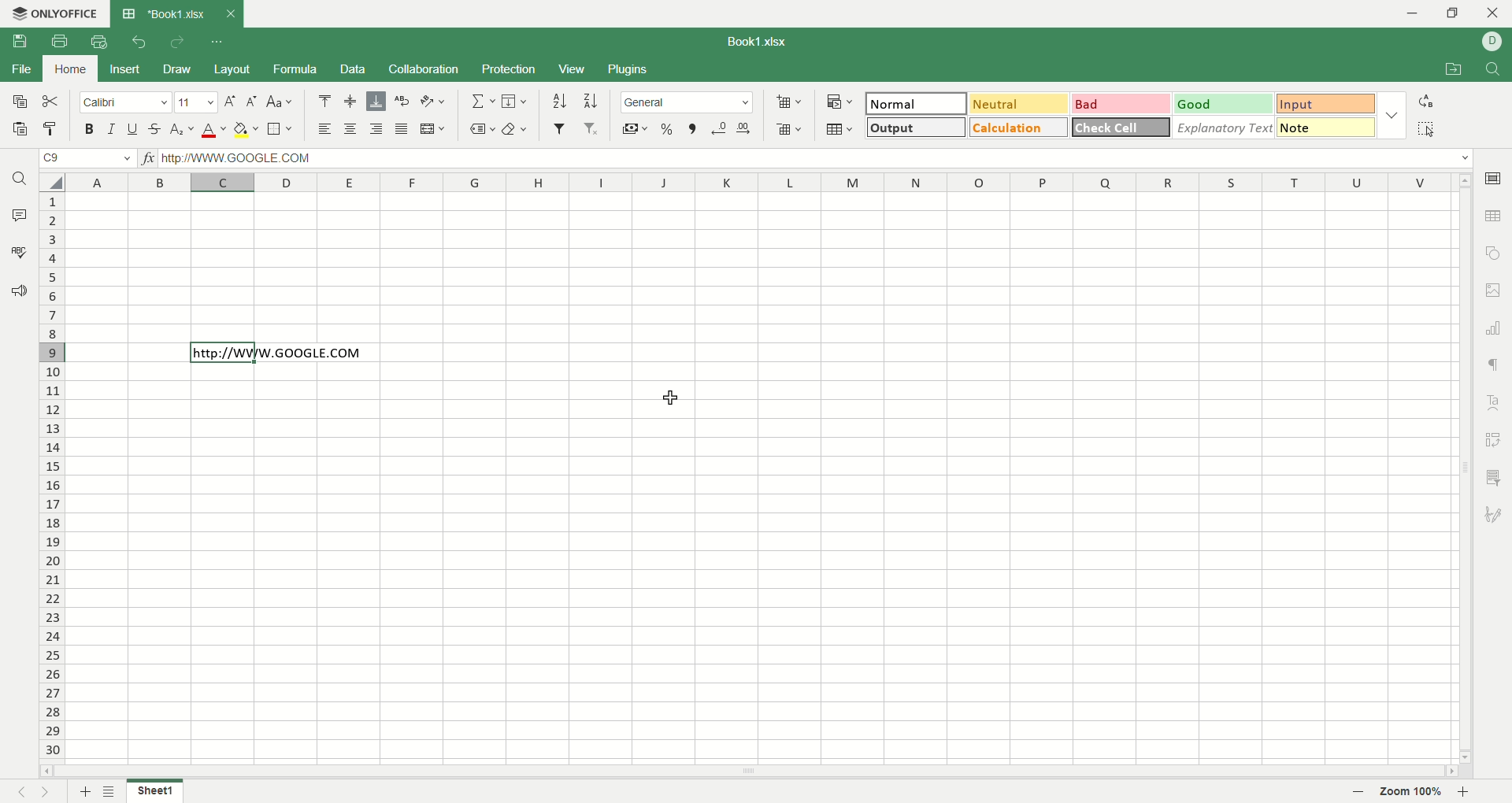  Describe the element at coordinates (1494, 362) in the screenshot. I see `paragraph settings` at that location.